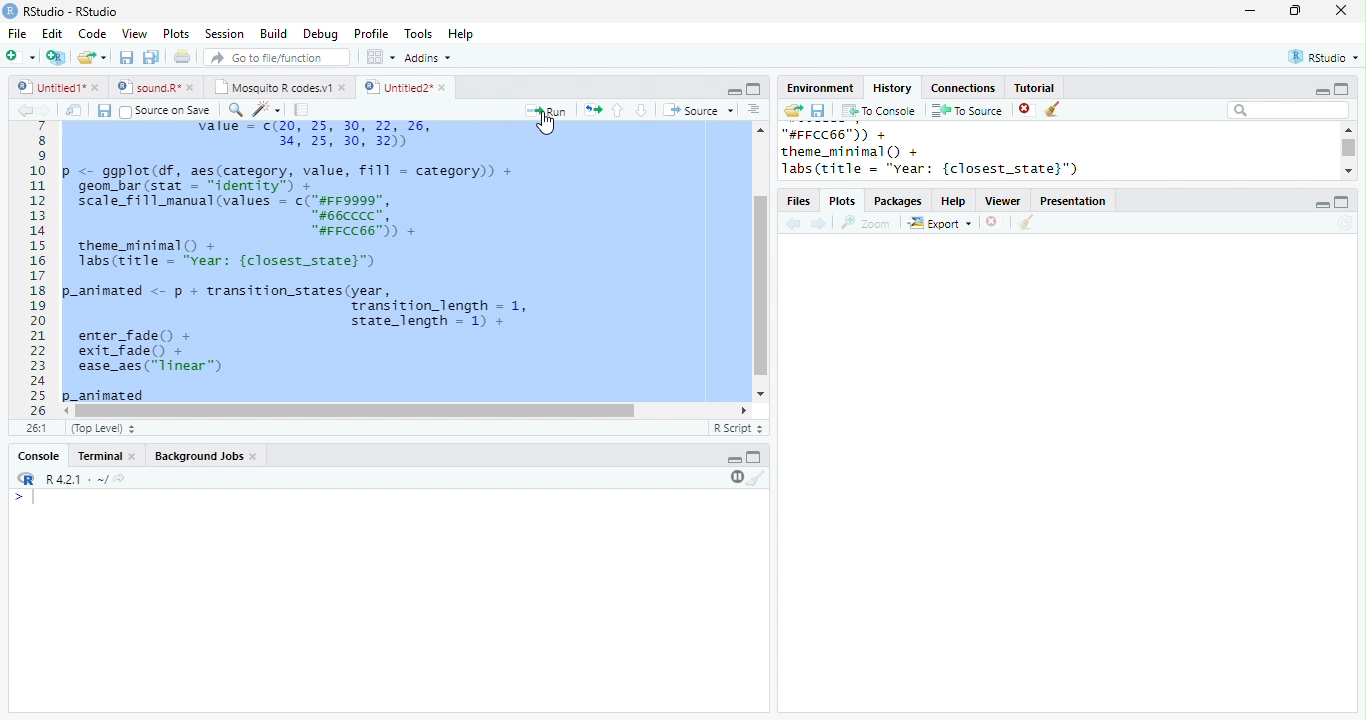 This screenshot has height=720, width=1366. Describe the element at coordinates (321, 35) in the screenshot. I see `Debug` at that location.